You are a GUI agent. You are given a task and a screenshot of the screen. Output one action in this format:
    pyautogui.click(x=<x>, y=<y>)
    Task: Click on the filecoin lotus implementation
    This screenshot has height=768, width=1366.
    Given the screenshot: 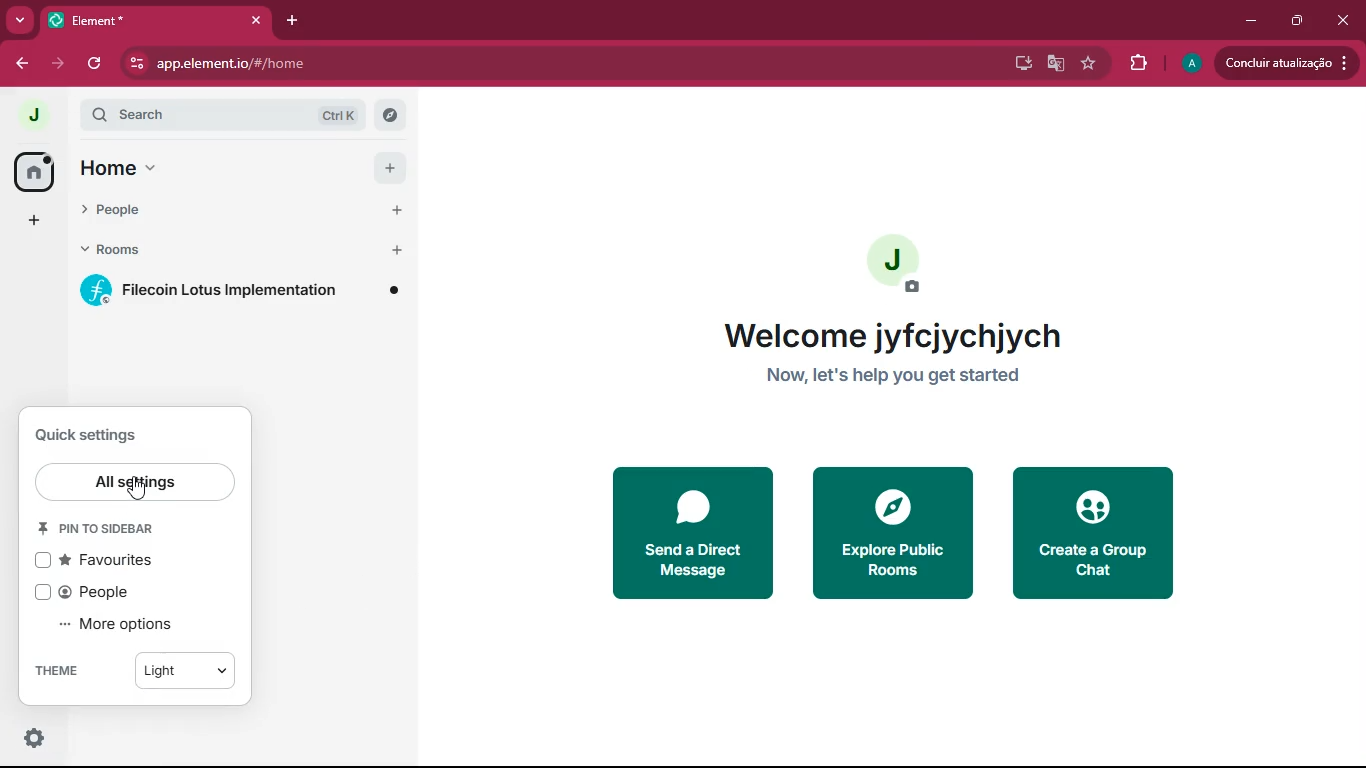 What is the action you would take?
    pyautogui.click(x=236, y=292)
    